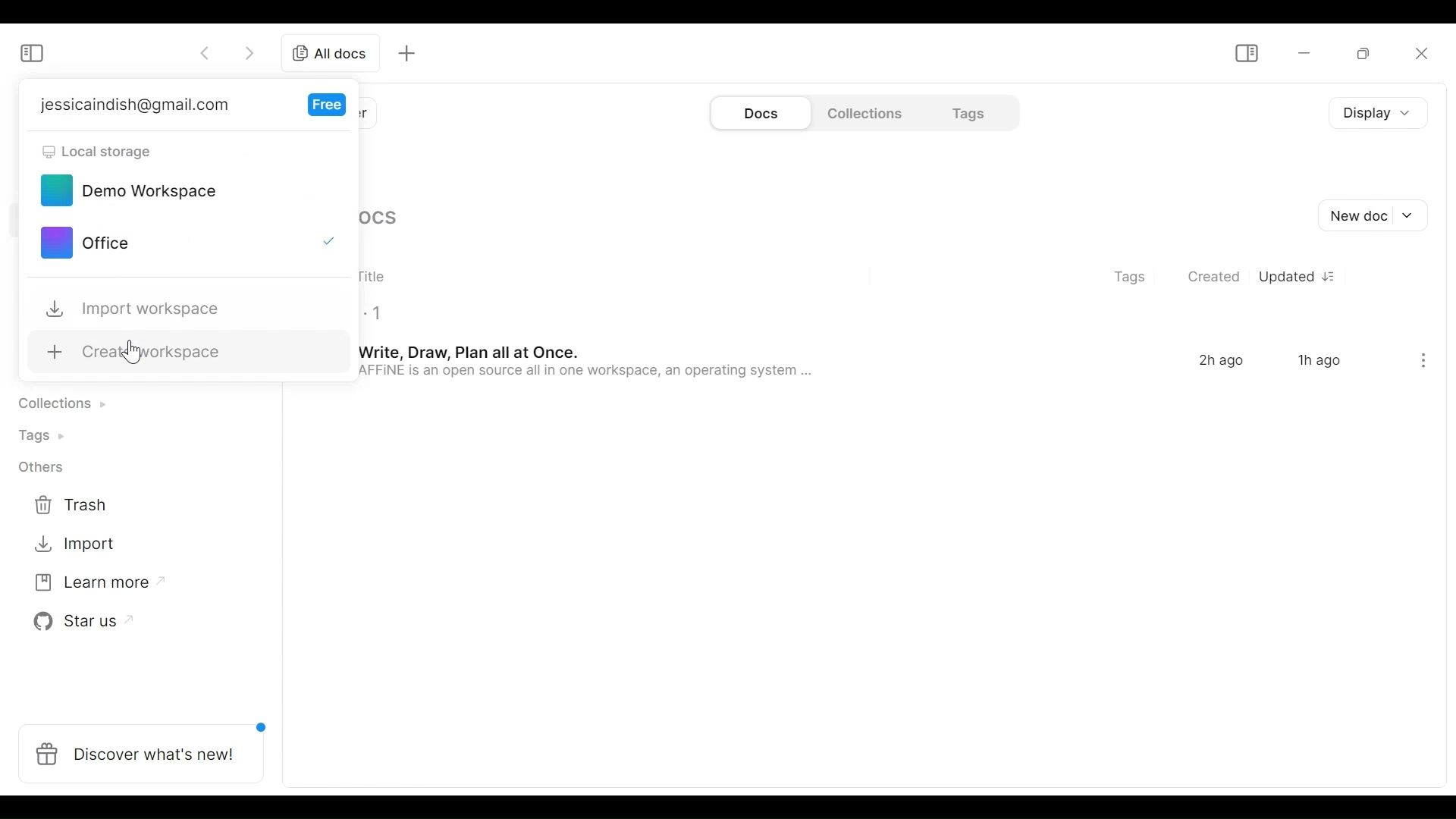 Image resolution: width=1456 pixels, height=819 pixels. What do you see at coordinates (130, 349) in the screenshot?
I see `Create workspace` at bounding box center [130, 349].